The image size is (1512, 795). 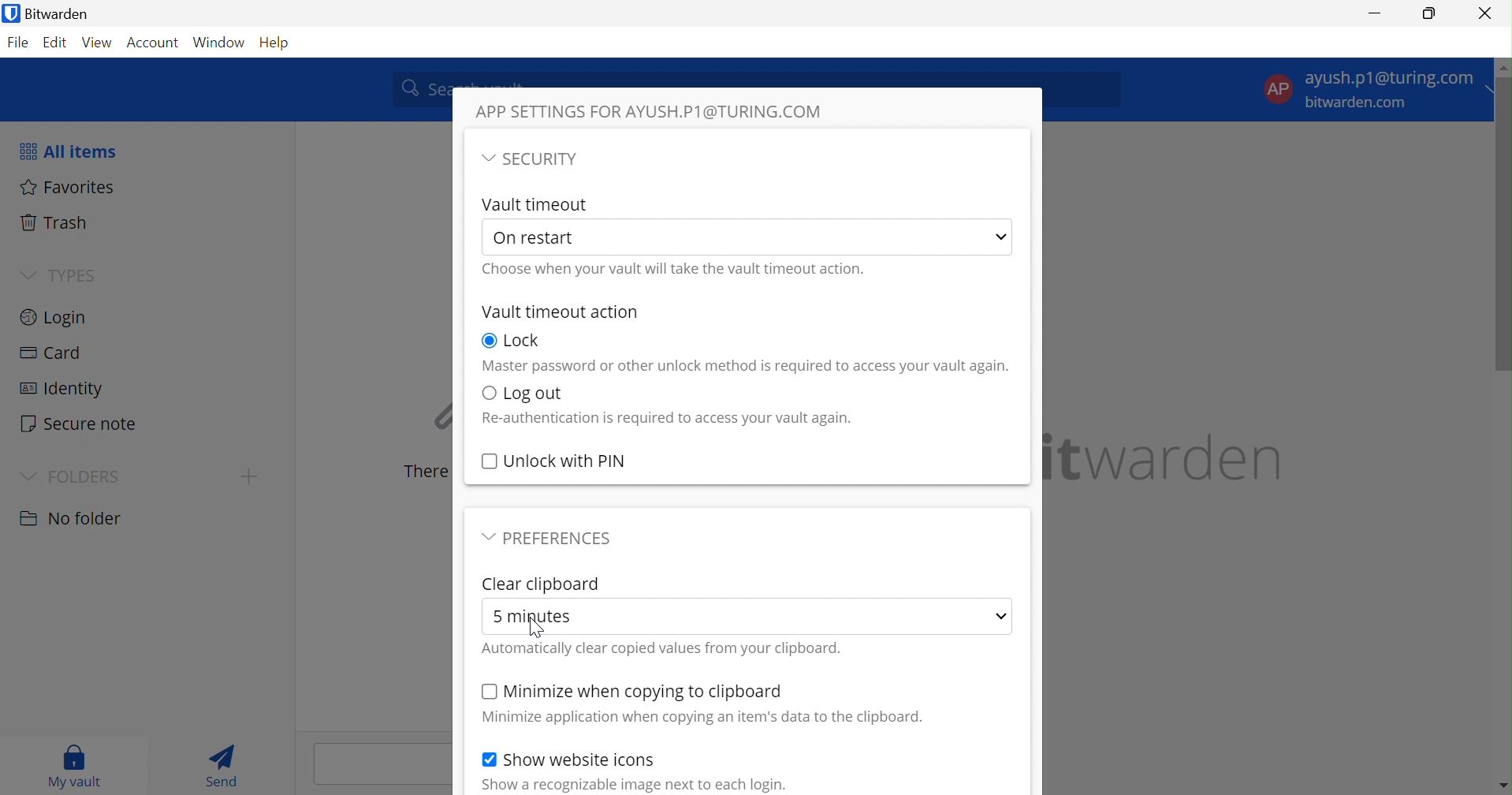 What do you see at coordinates (661, 648) in the screenshot?
I see `Automatically clear copied values from your clipboard.` at bounding box center [661, 648].